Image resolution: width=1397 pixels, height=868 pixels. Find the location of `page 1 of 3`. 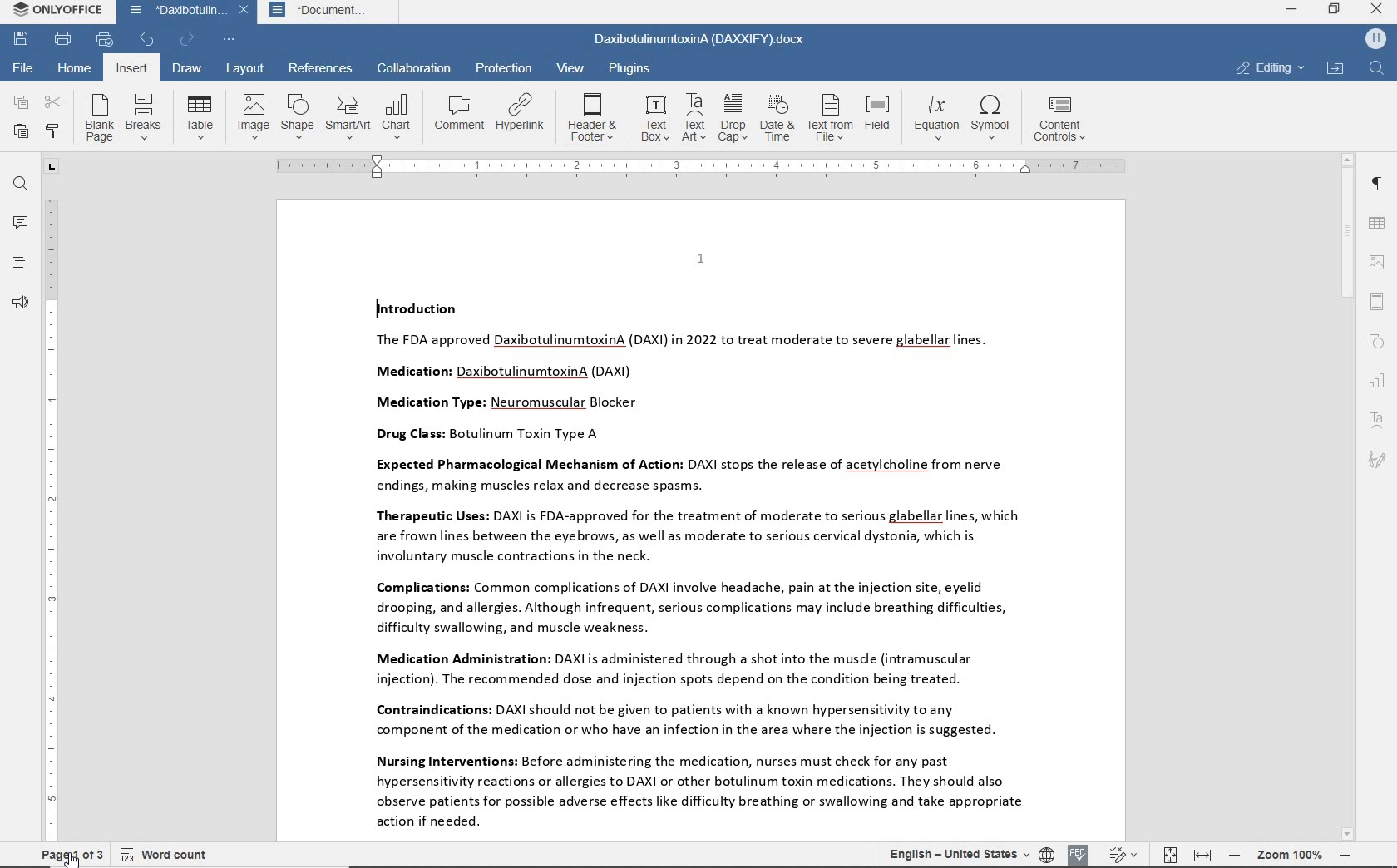

page 1 of 3 is located at coordinates (68, 855).